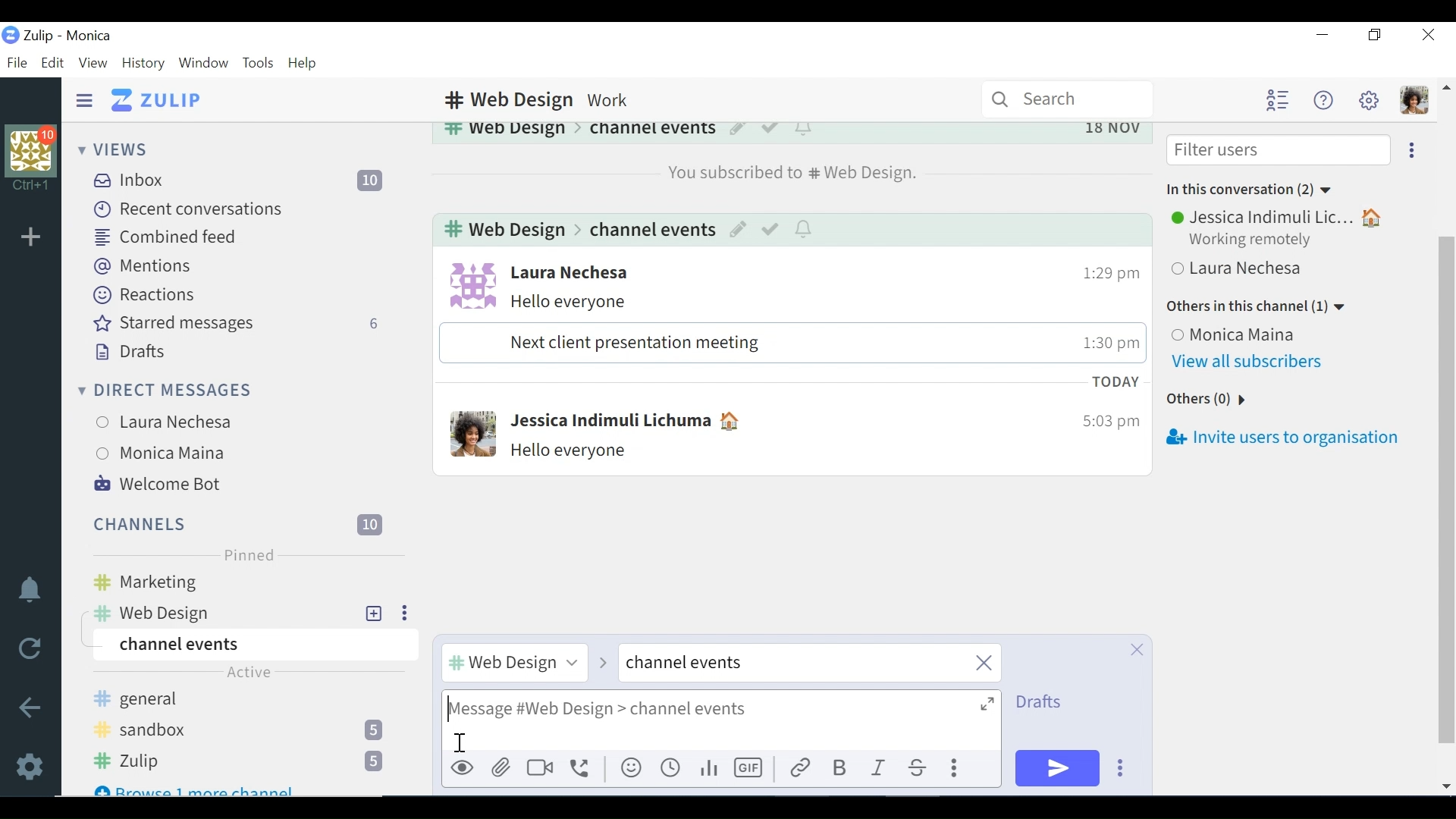 Image resolution: width=1456 pixels, height=819 pixels. Describe the element at coordinates (257, 63) in the screenshot. I see `Tools` at that location.